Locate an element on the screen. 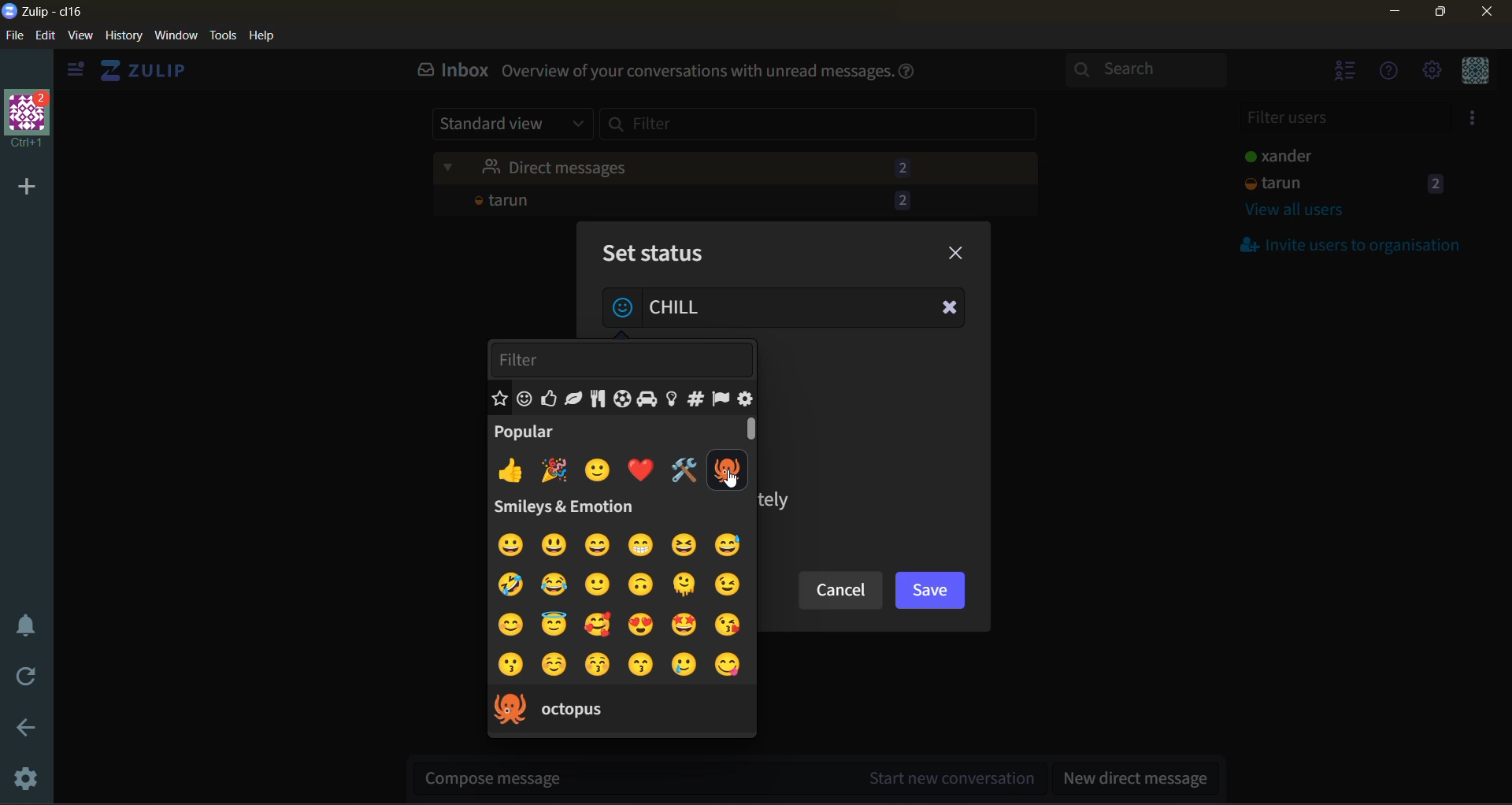  emoji is located at coordinates (684, 545).